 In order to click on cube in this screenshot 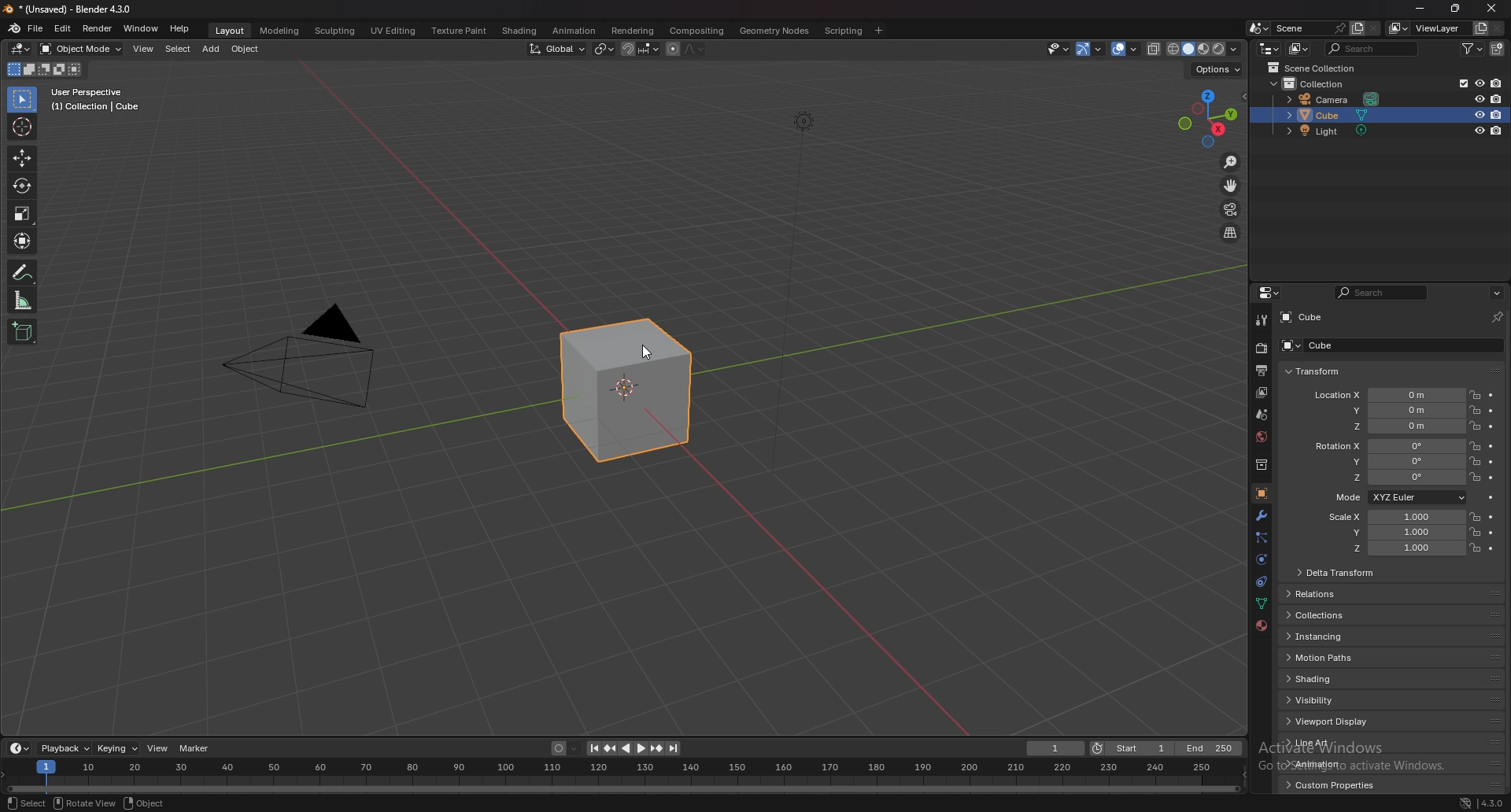, I will do `click(1304, 317)`.